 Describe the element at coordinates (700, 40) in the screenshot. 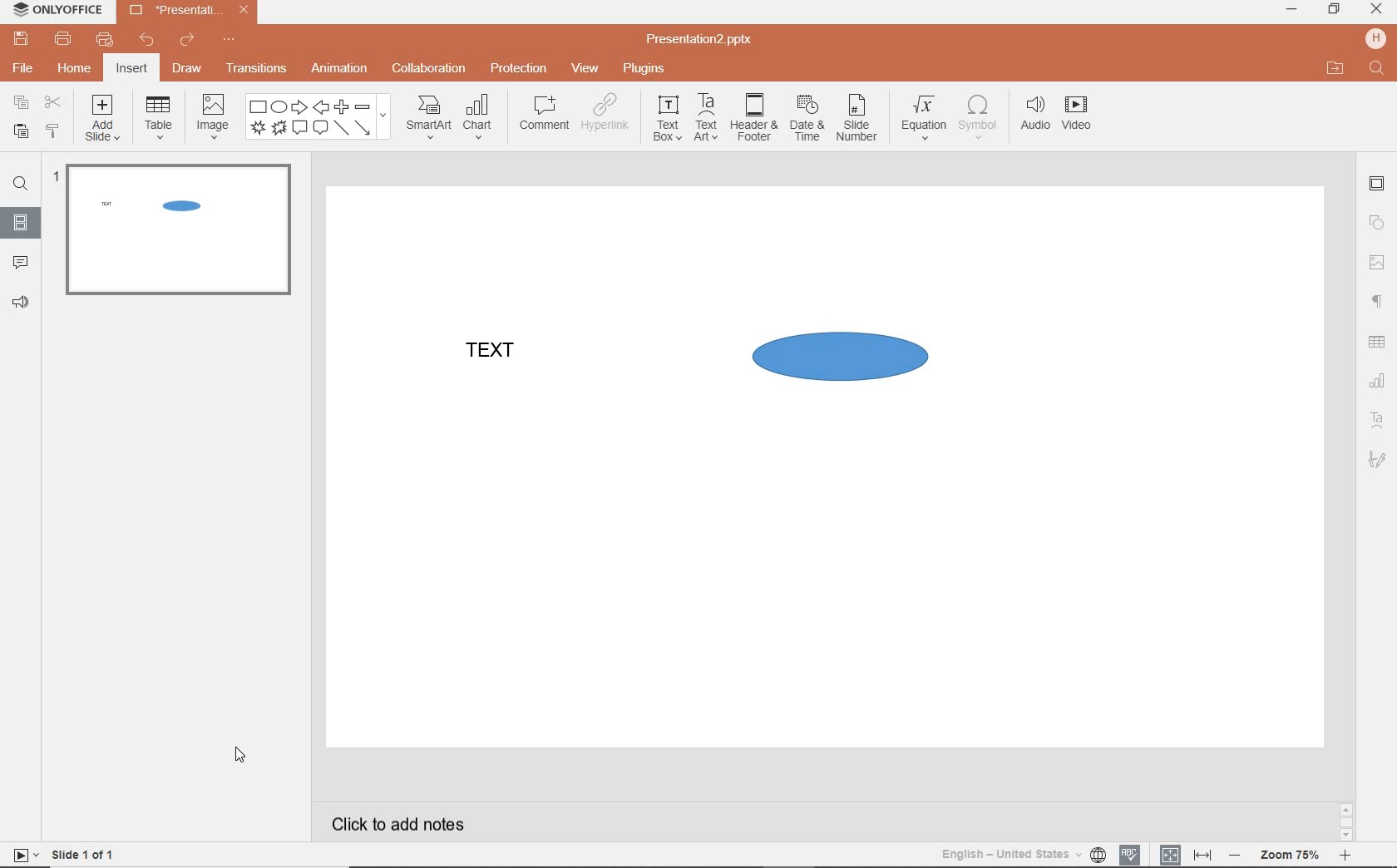

I see `Presentation2.pptx` at that location.